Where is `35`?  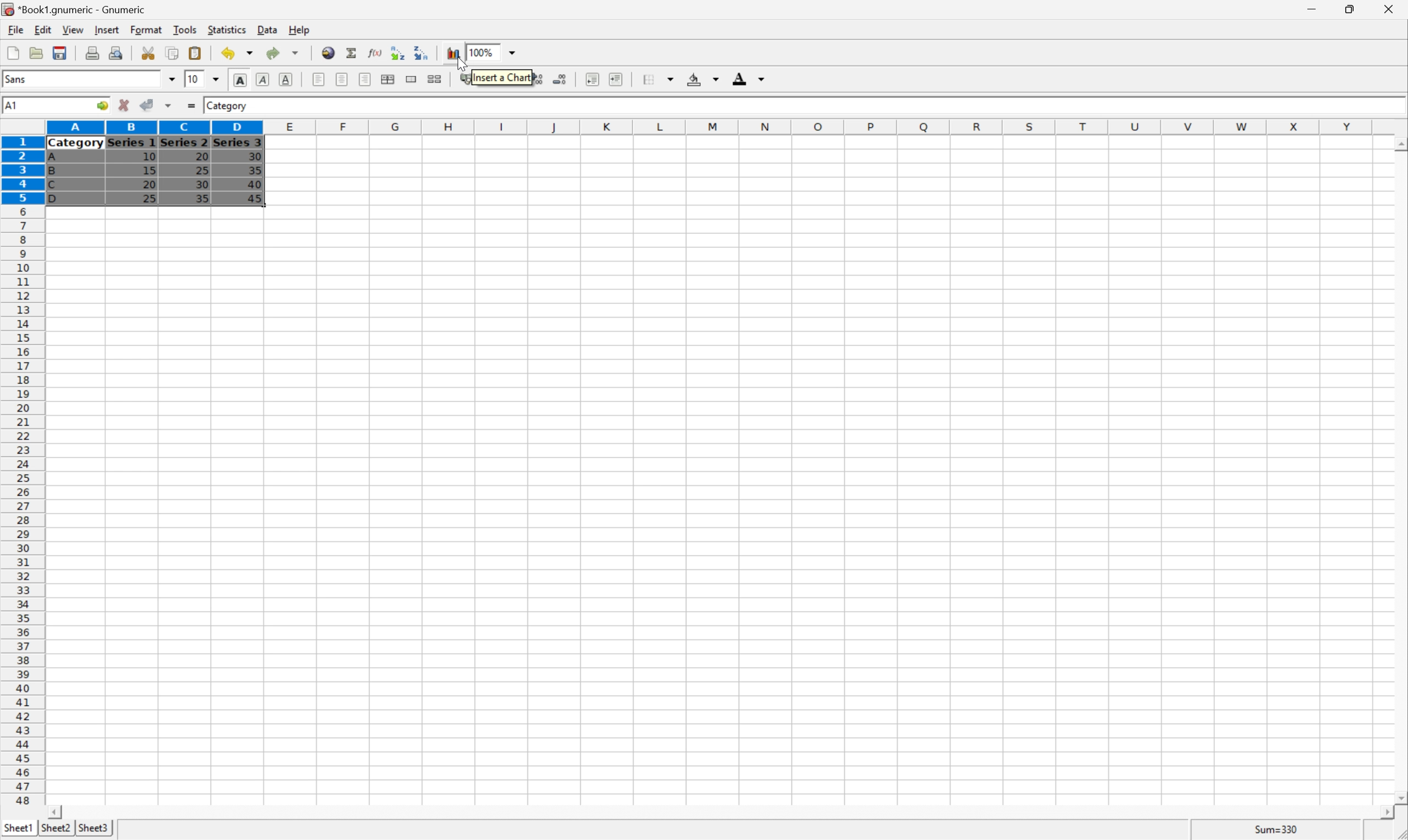
35 is located at coordinates (255, 170).